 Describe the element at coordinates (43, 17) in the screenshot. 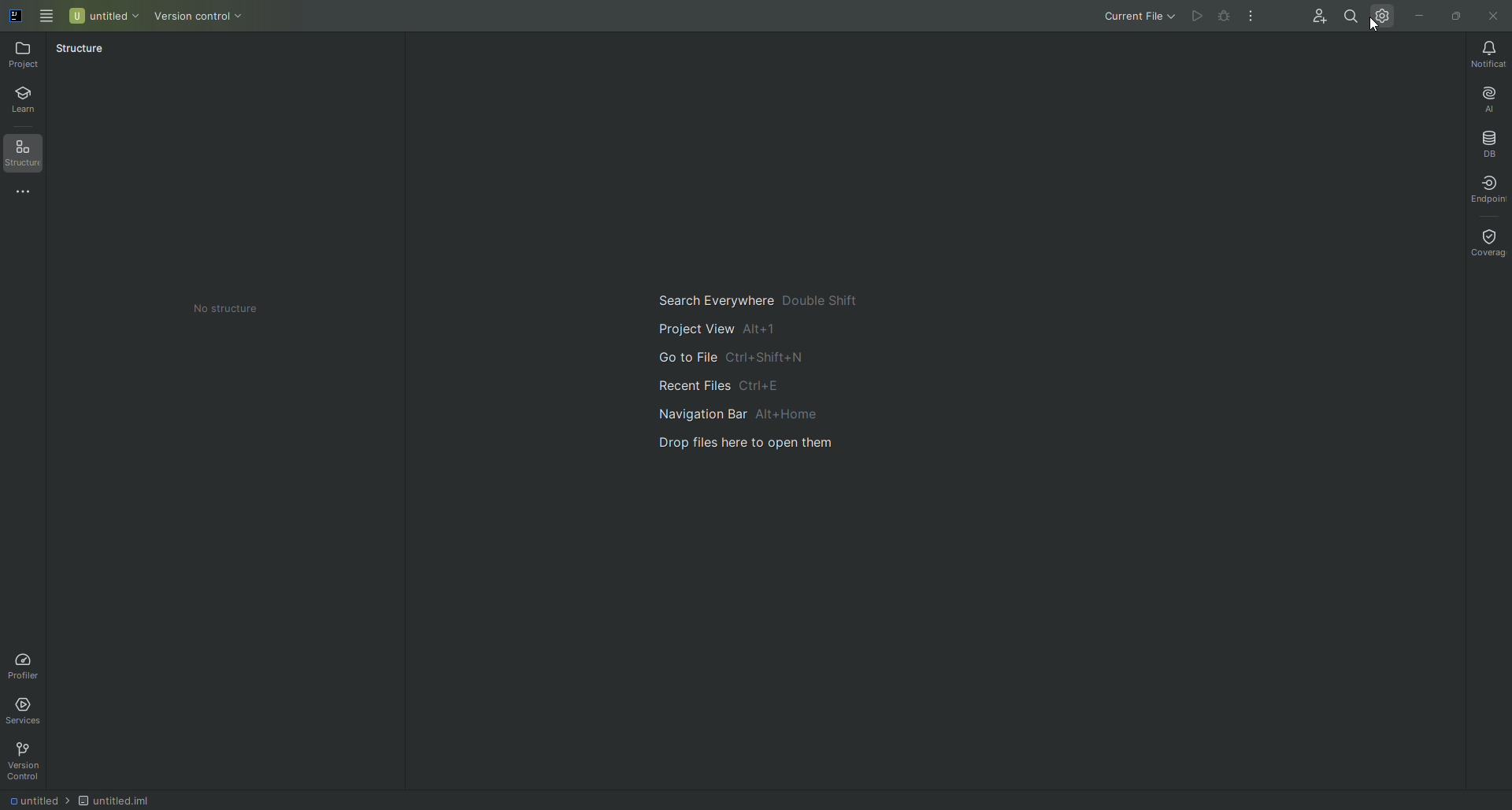

I see `Main Menu` at that location.